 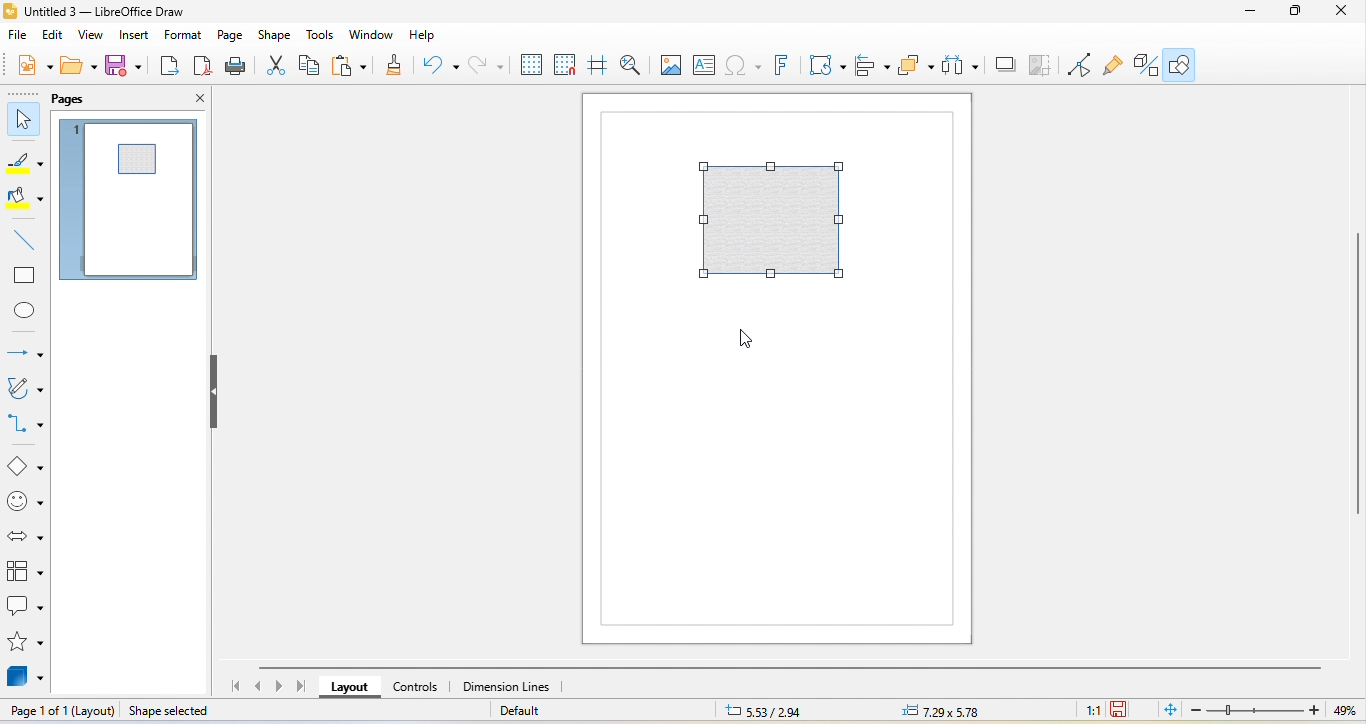 I want to click on layout, so click(x=349, y=688).